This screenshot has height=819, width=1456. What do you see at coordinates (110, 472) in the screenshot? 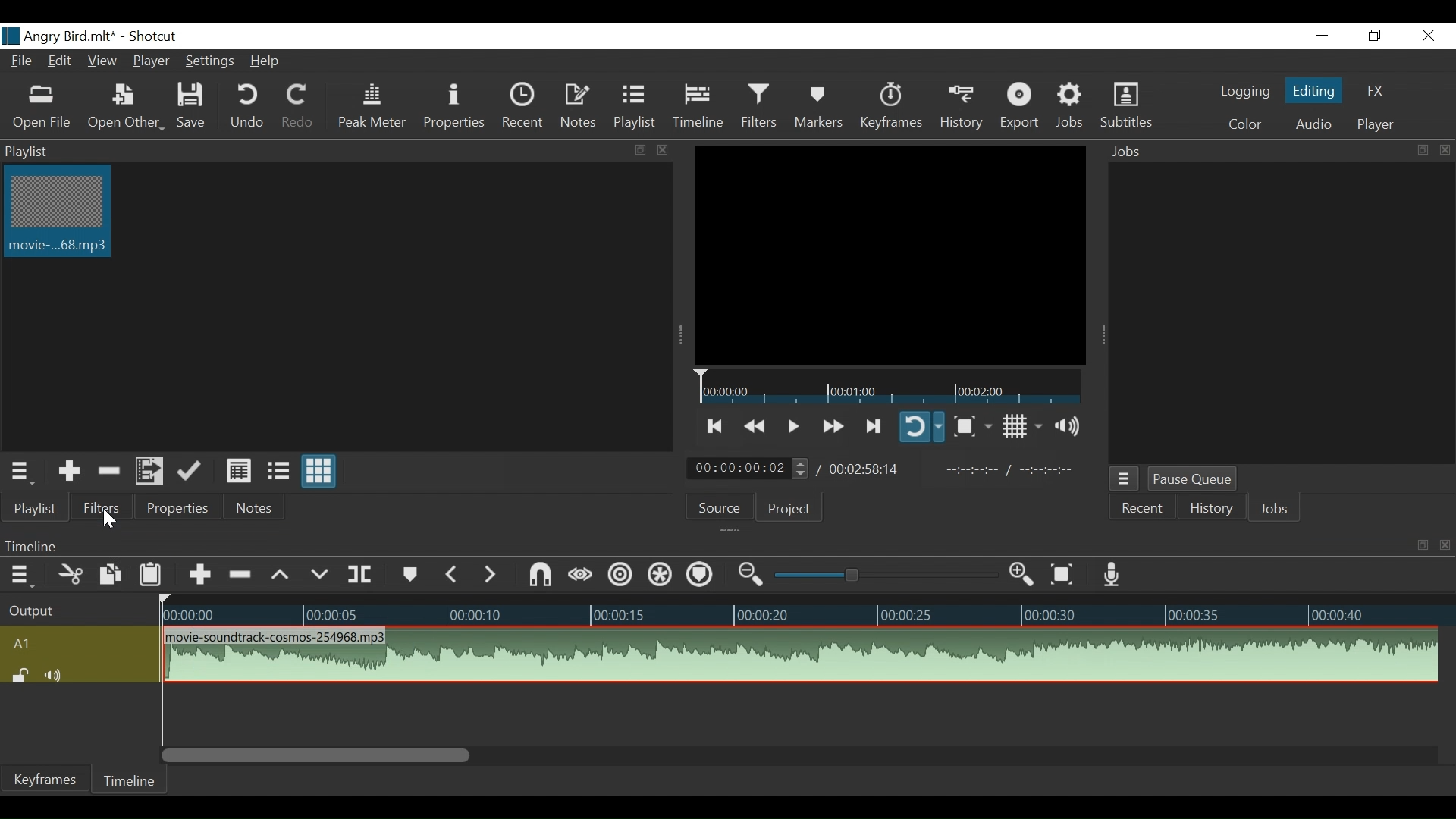
I see `Remove Cut` at bounding box center [110, 472].